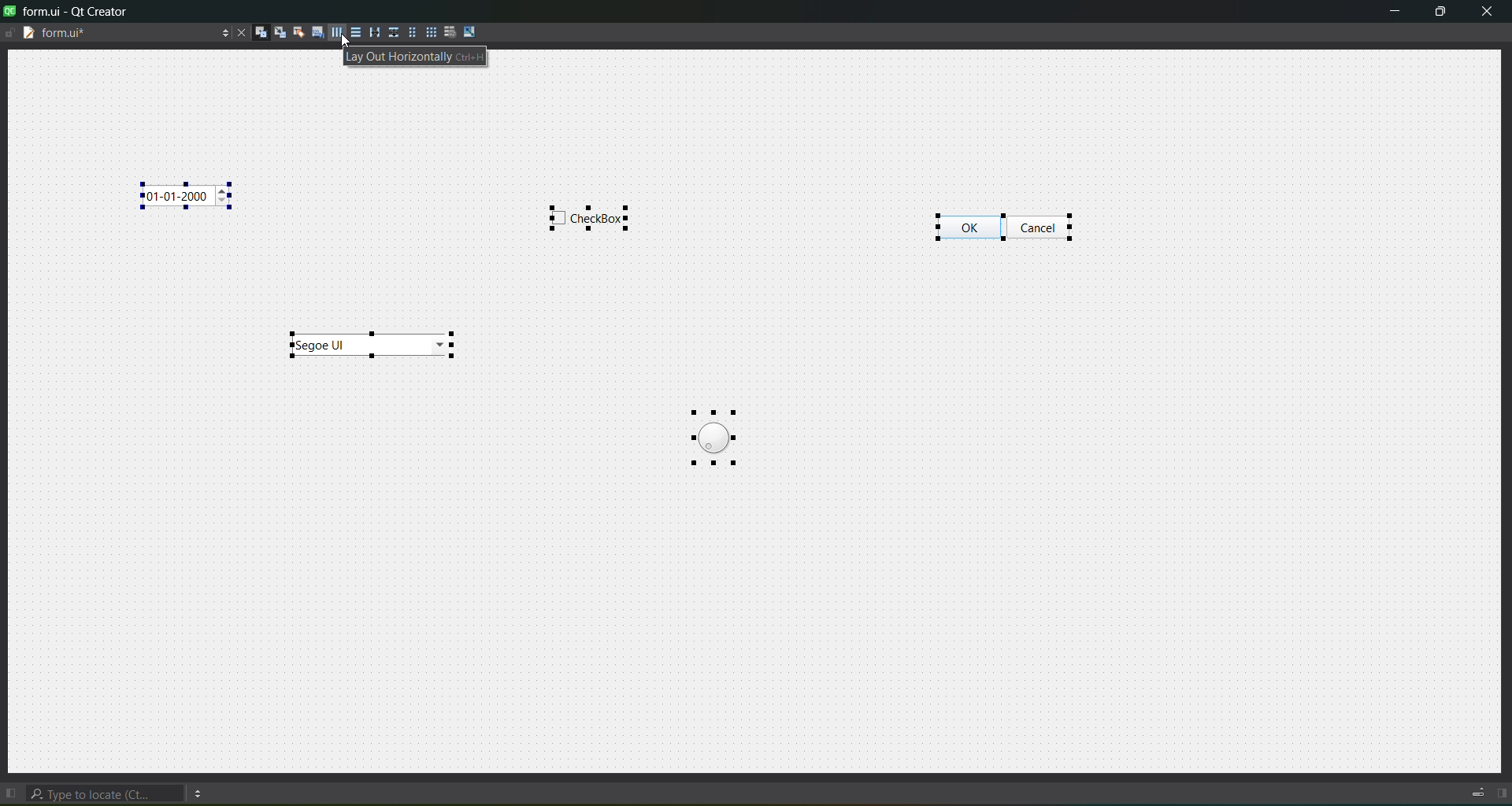 The height and width of the screenshot is (806, 1512). Describe the element at coordinates (393, 33) in the screenshot. I see `vertical splitter` at that location.